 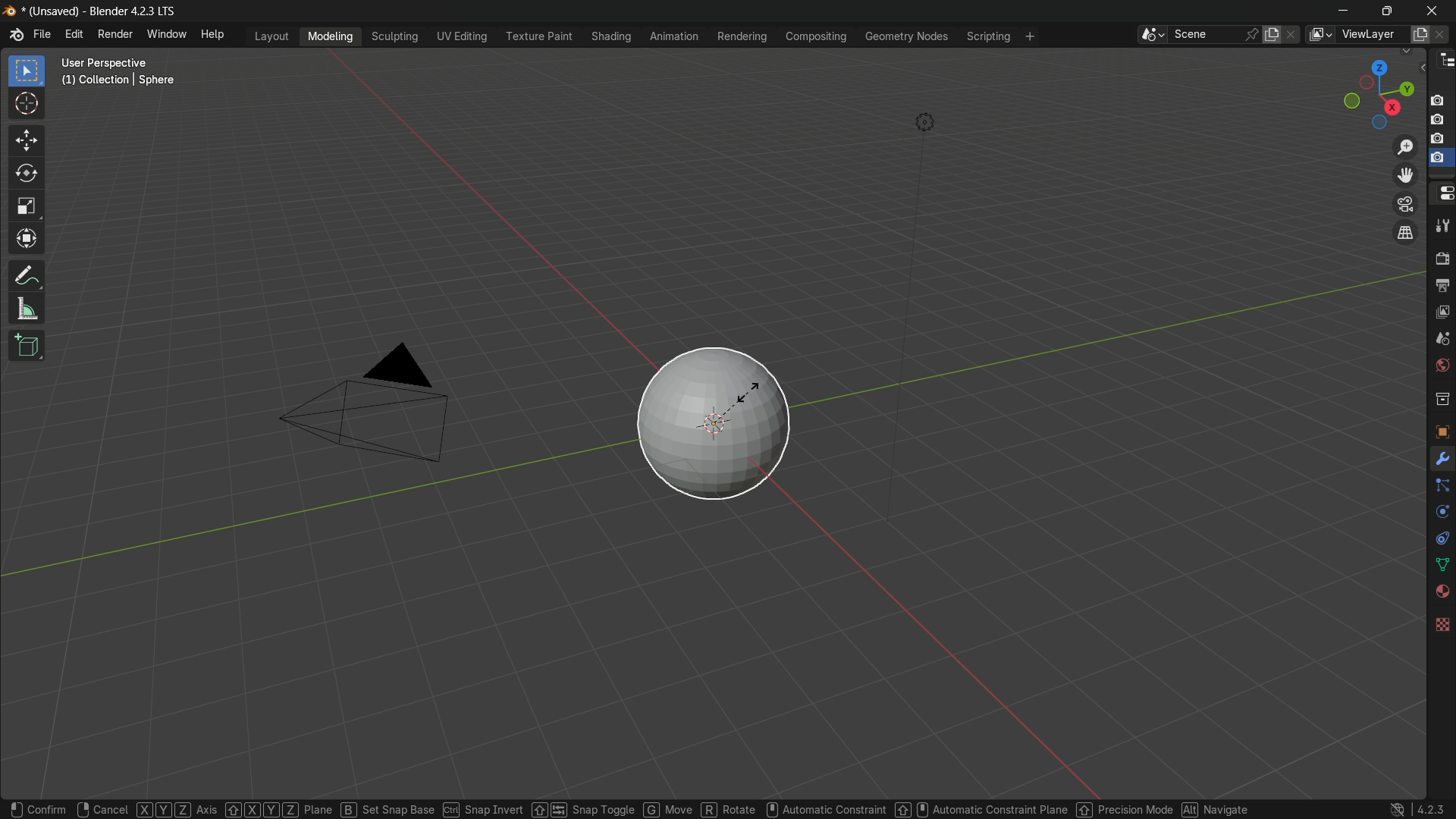 What do you see at coordinates (1441, 513) in the screenshot?
I see `physics` at bounding box center [1441, 513].